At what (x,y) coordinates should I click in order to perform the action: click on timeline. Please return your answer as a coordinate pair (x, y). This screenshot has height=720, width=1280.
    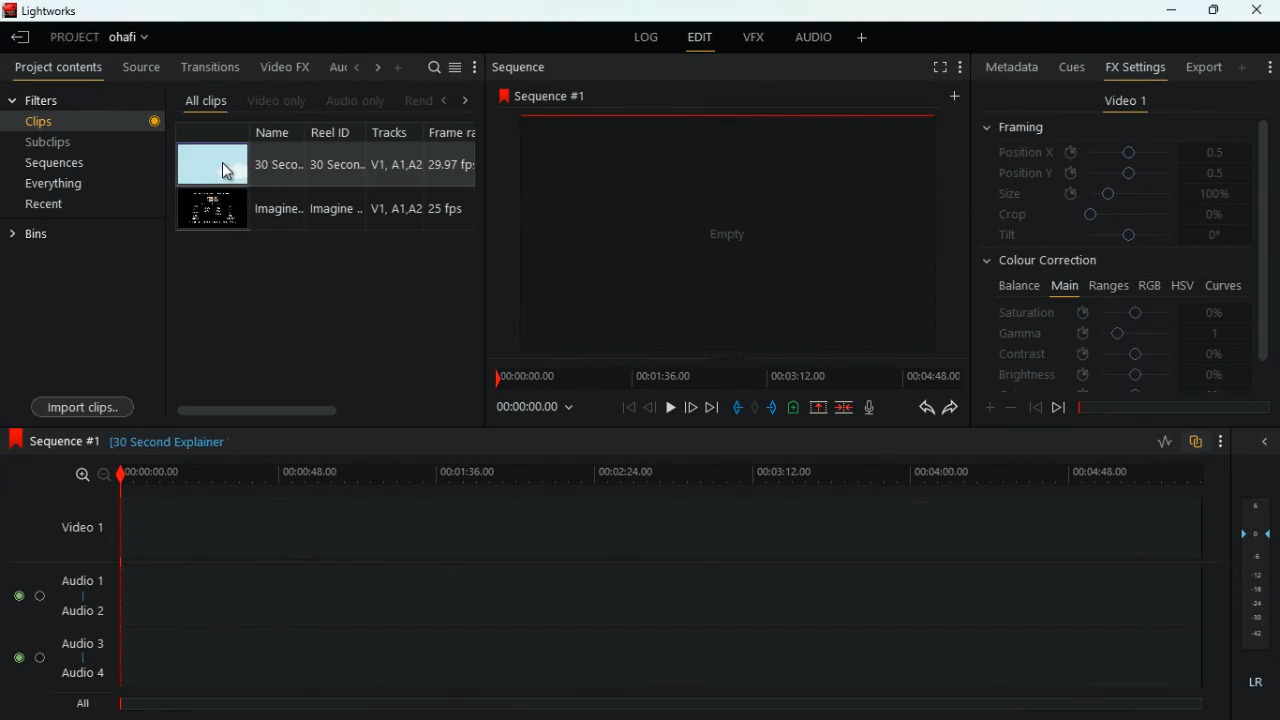
    Looking at the image, I should click on (724, 376).